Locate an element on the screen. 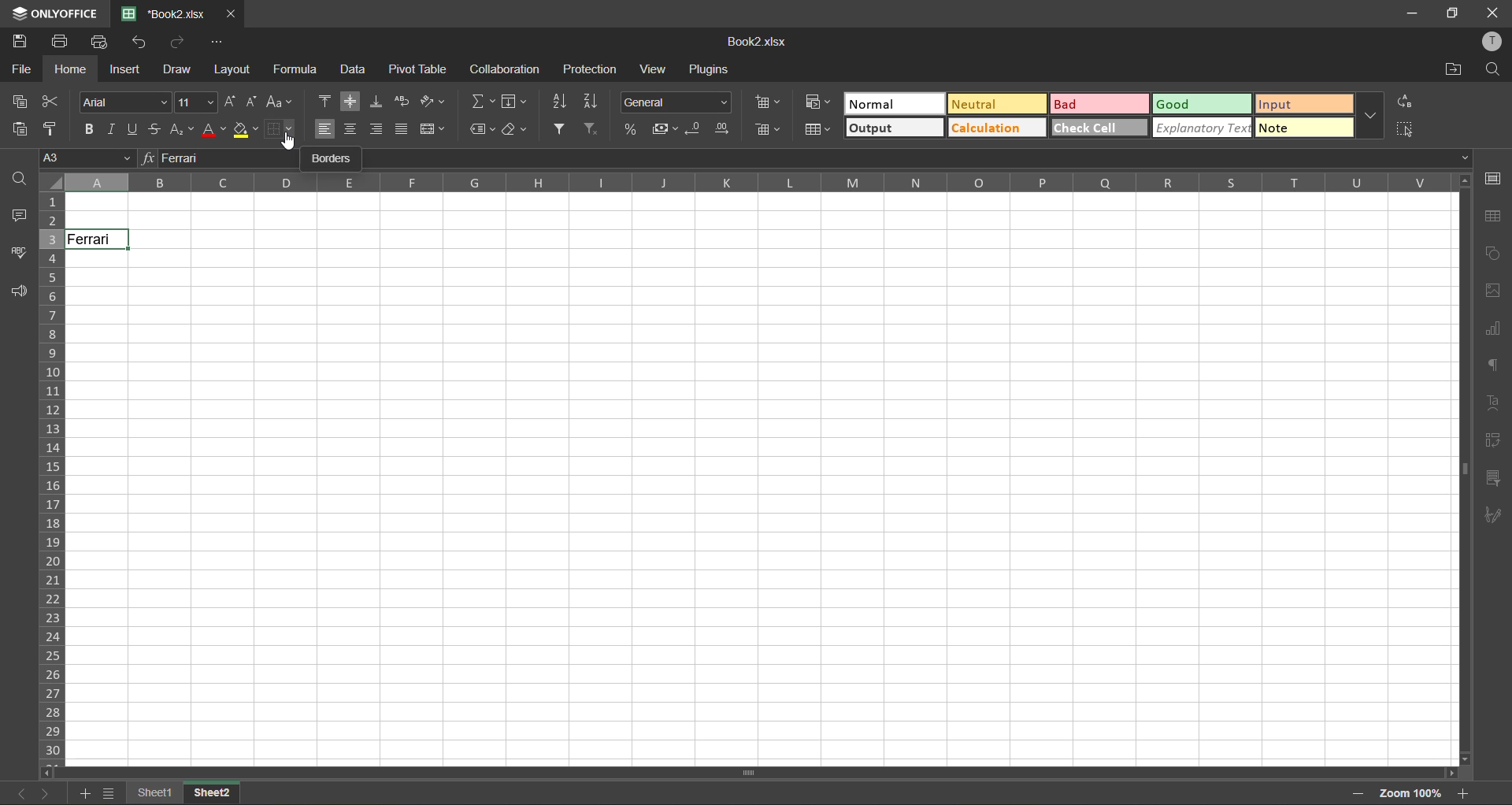  pivot table is located at coordinates (418, 68).